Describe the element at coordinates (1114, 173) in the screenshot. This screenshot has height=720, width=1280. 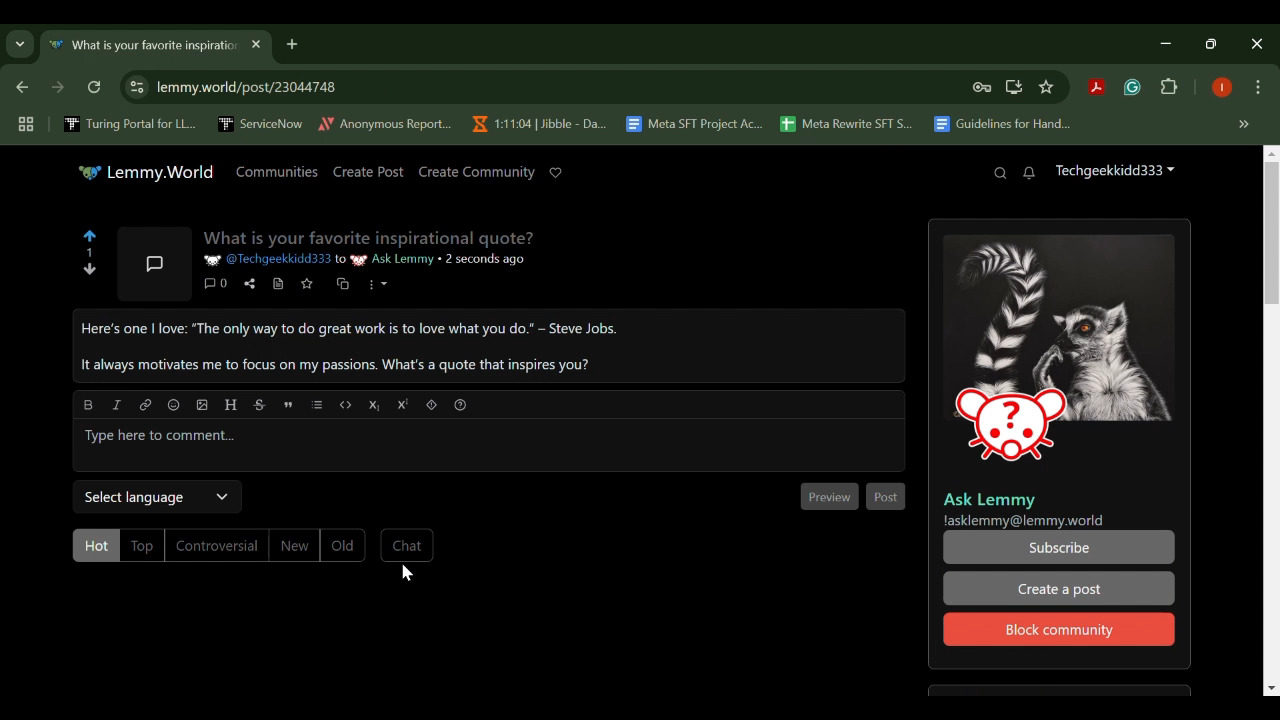
I see `Techgeekkidd333` at that location.